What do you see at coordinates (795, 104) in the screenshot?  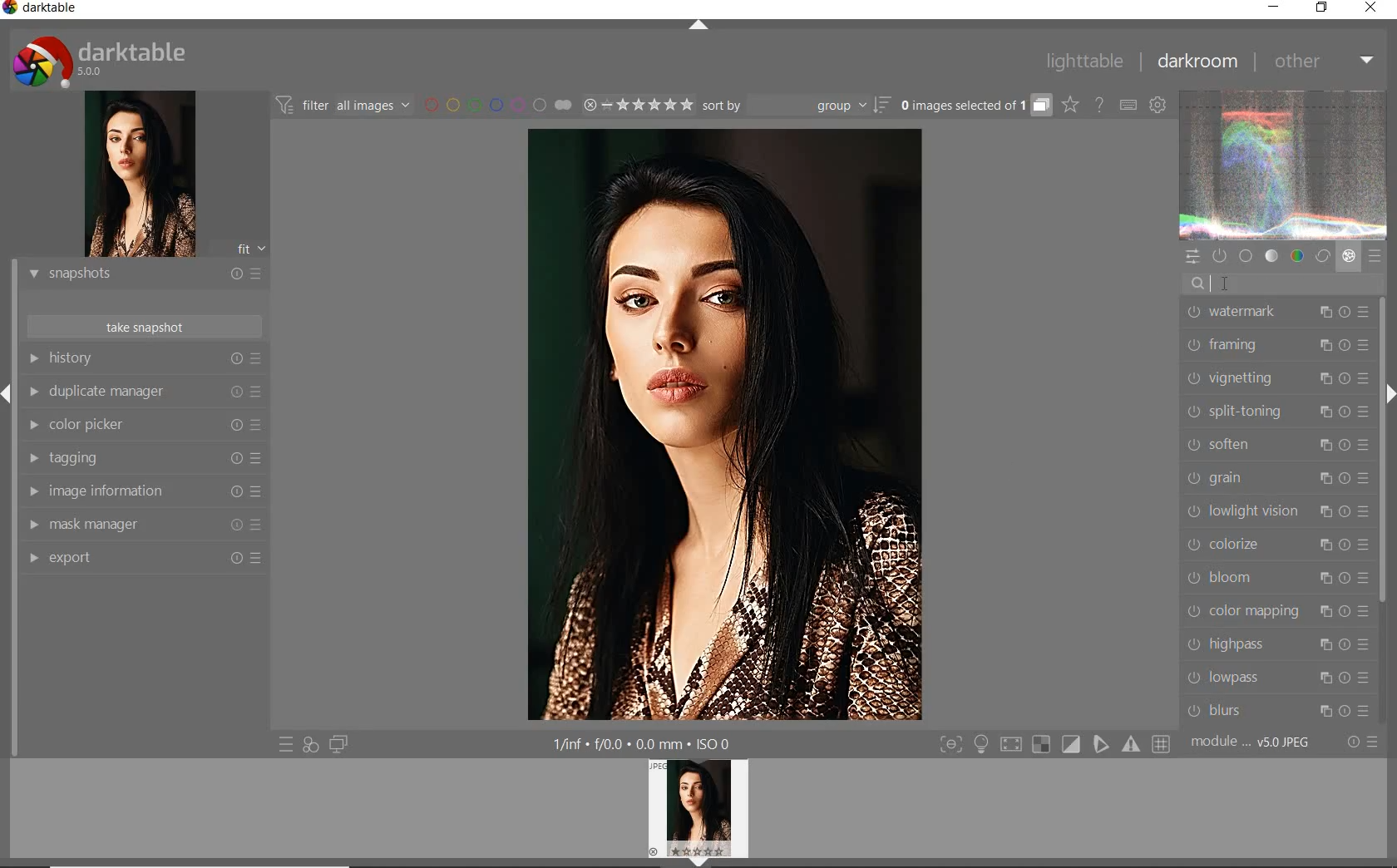 I see `sort` at bounding box center [795, 104].